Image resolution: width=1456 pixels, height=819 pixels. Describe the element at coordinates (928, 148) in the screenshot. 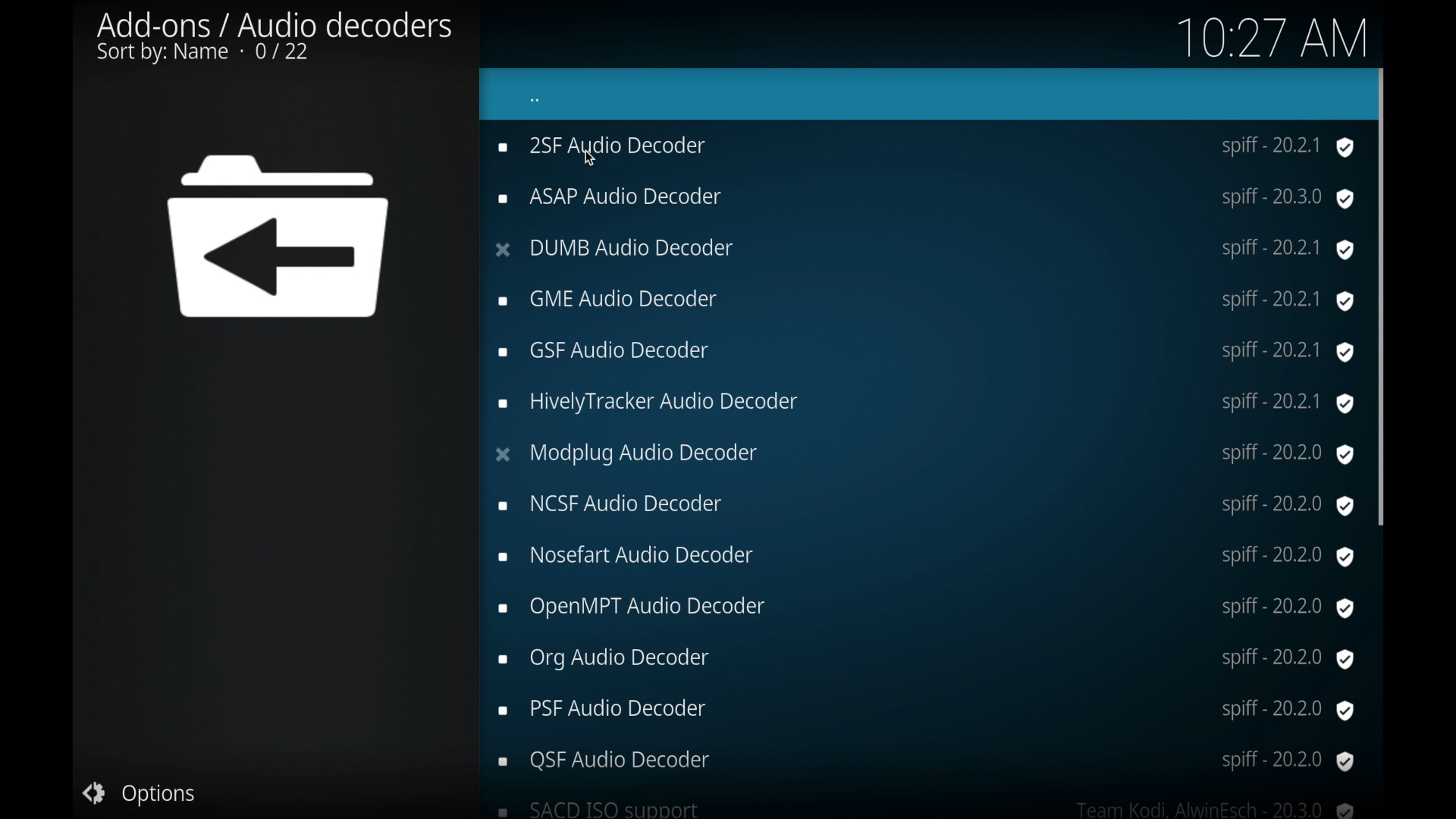

I see `= 2SF Audio Decoder spiff-20.2.1 @` at that location.